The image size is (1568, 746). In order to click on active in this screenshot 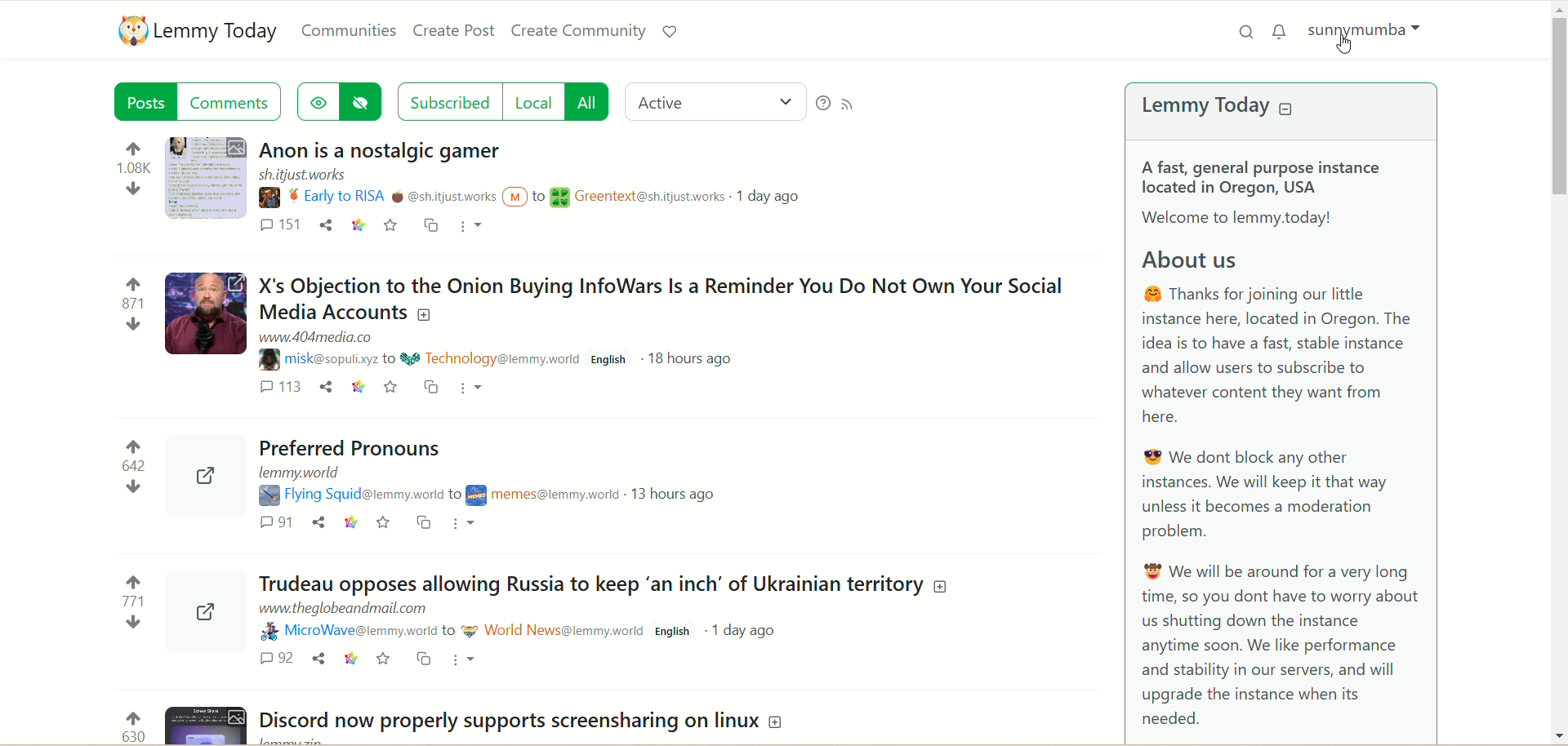, I will do `click(716, 100)`.